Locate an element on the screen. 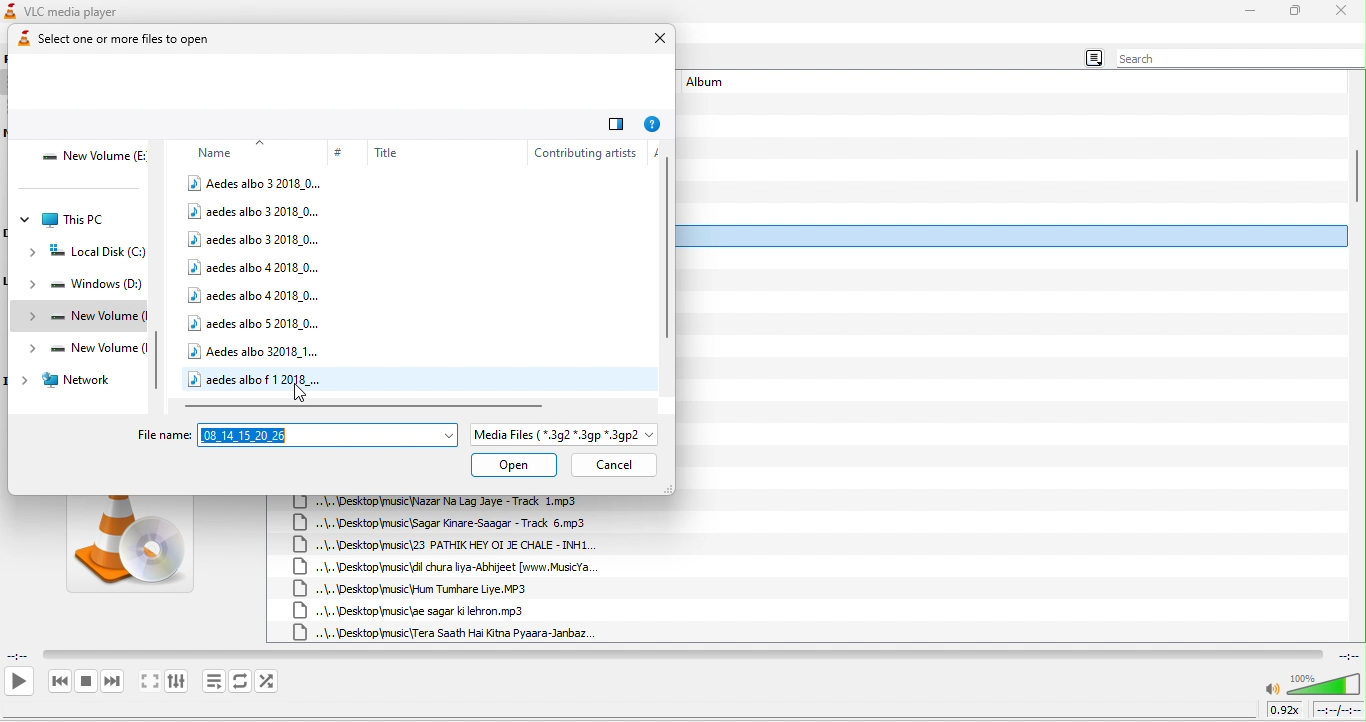 The image size is (1366, 722). Aedes albo 3 2018.0... is located at coordinates (256, 183).